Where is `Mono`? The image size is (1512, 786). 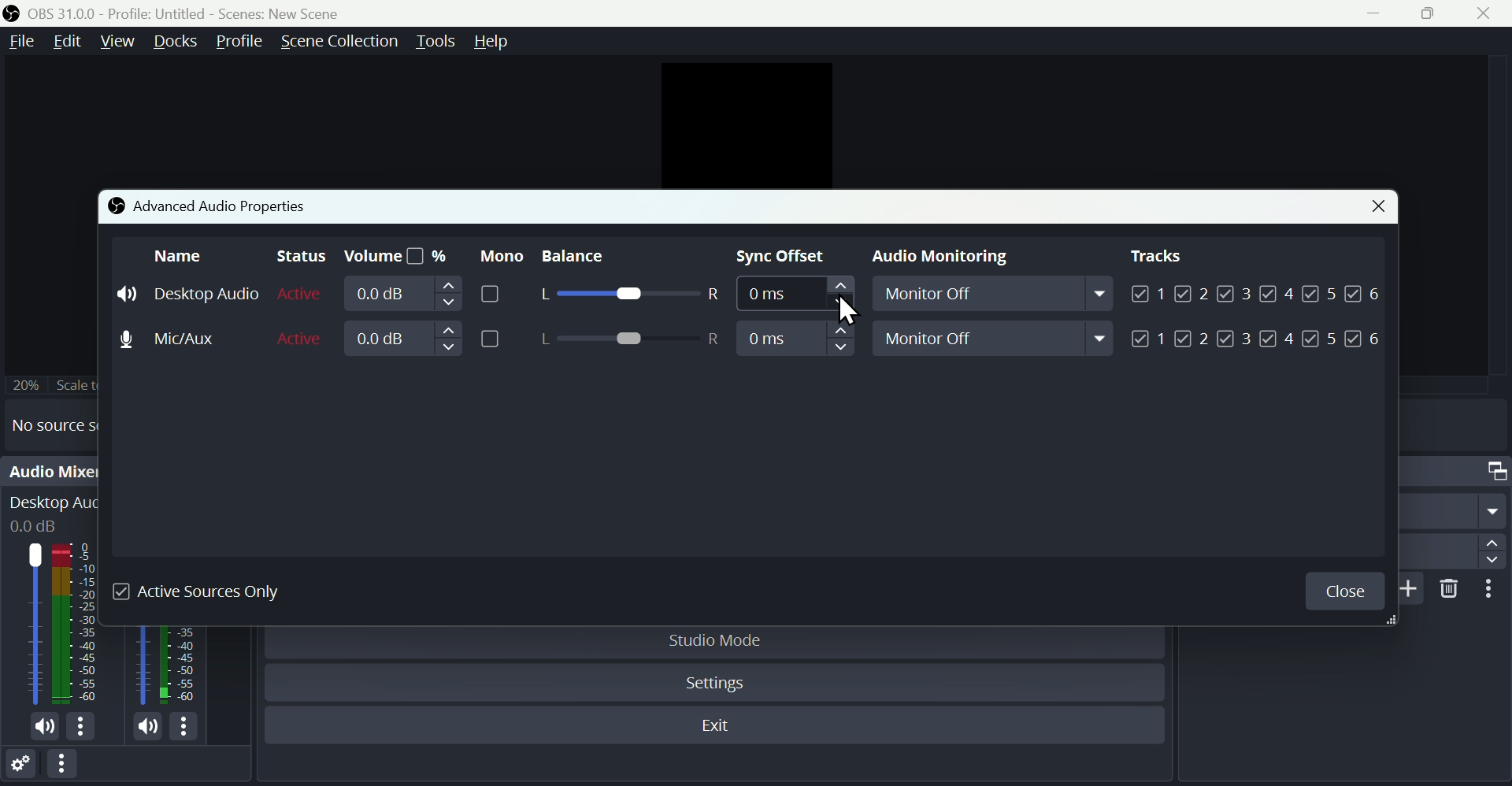
Mono is located at coordinates (498, 255).